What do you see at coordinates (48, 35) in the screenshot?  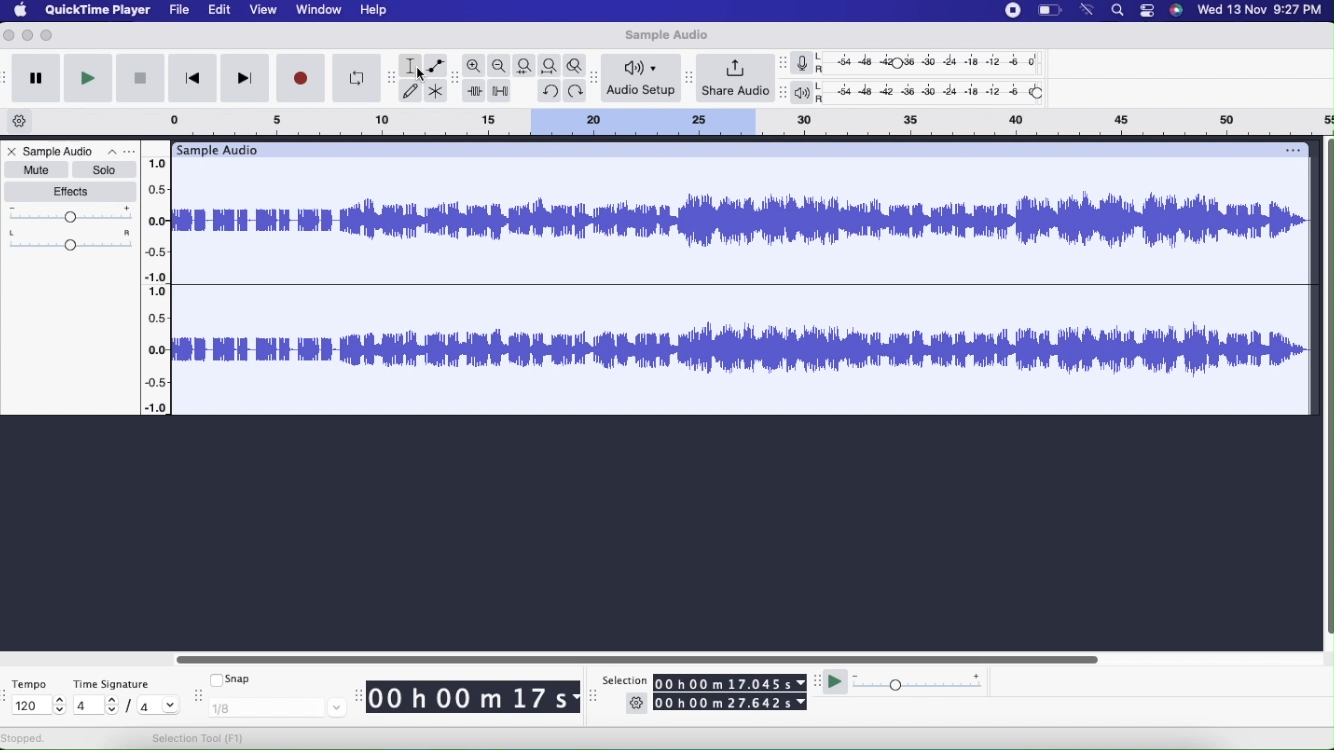 I see `Maximize` at bounding box center [48, 35].